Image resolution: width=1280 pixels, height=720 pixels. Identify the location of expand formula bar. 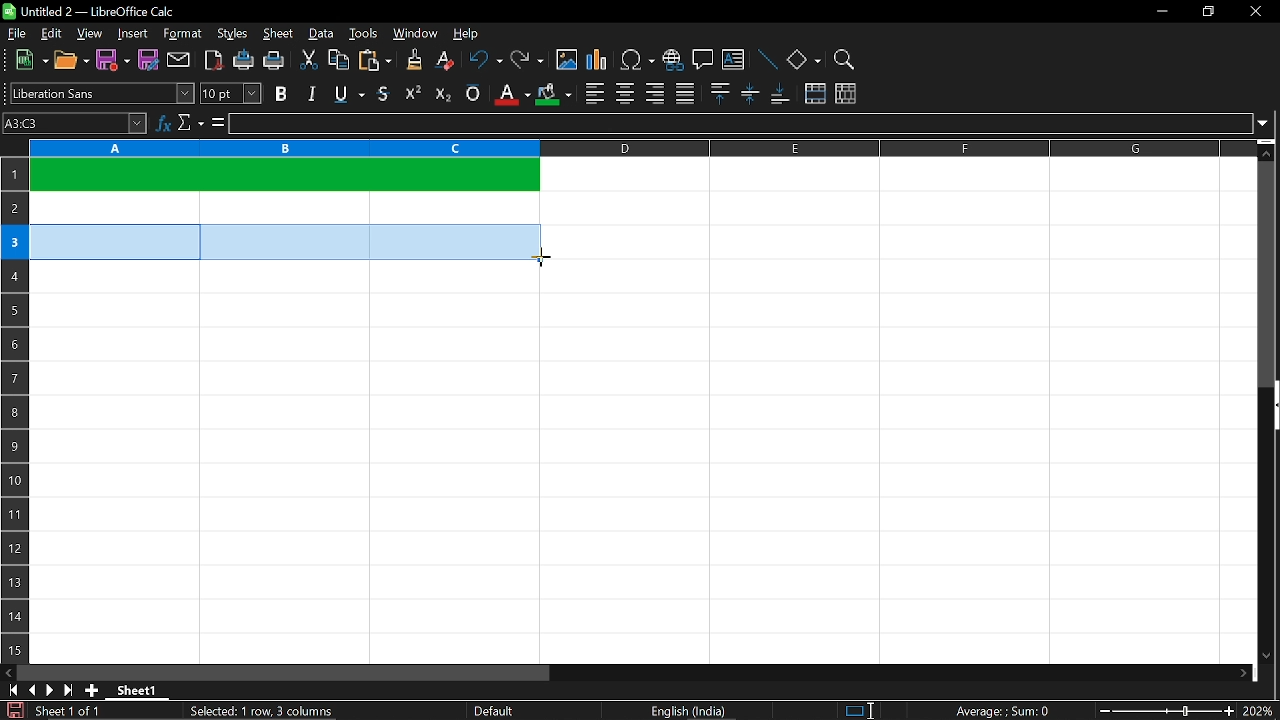
(1266, 123).